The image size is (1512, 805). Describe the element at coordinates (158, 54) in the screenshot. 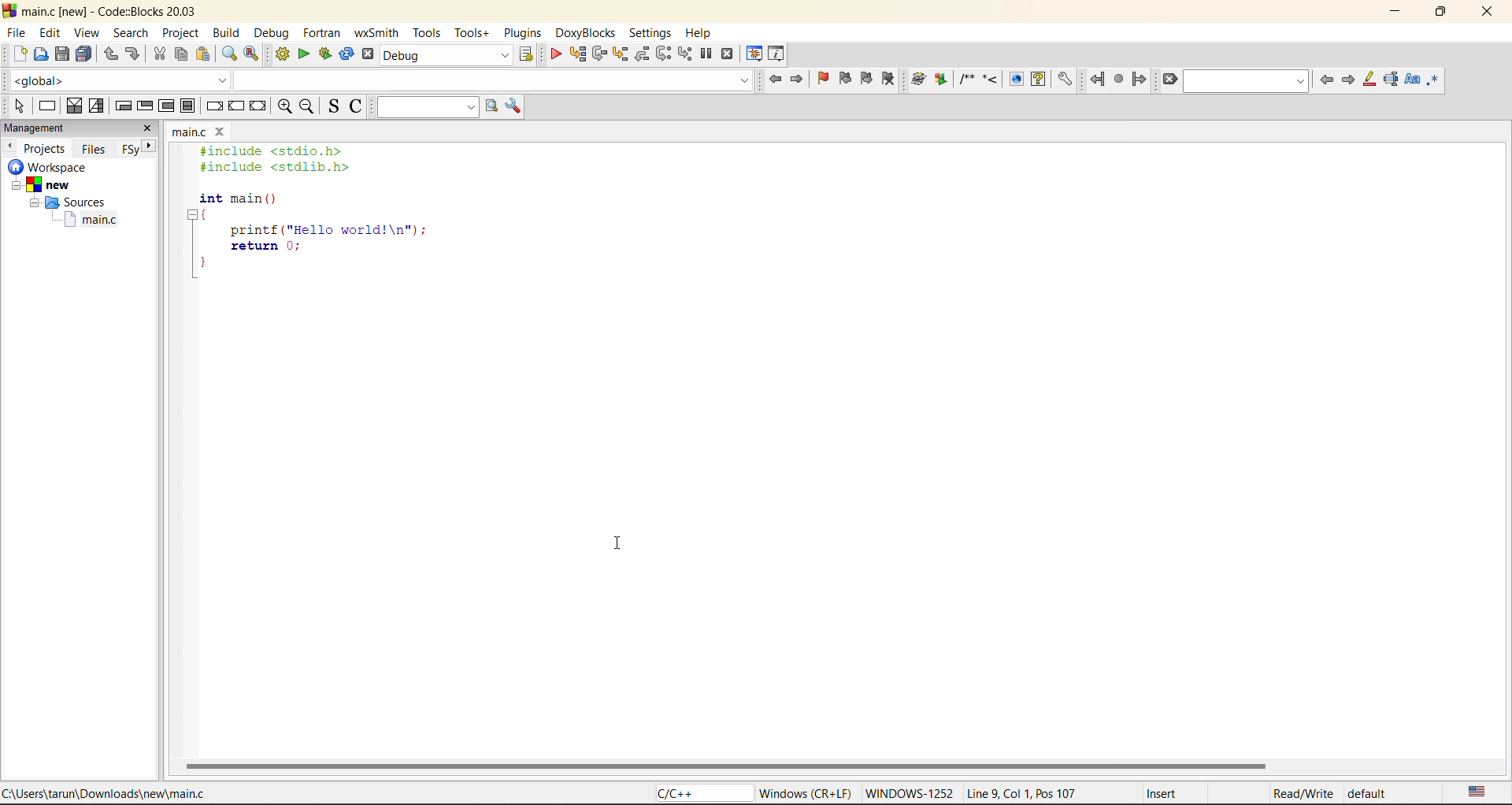

I see `cut` at that location.